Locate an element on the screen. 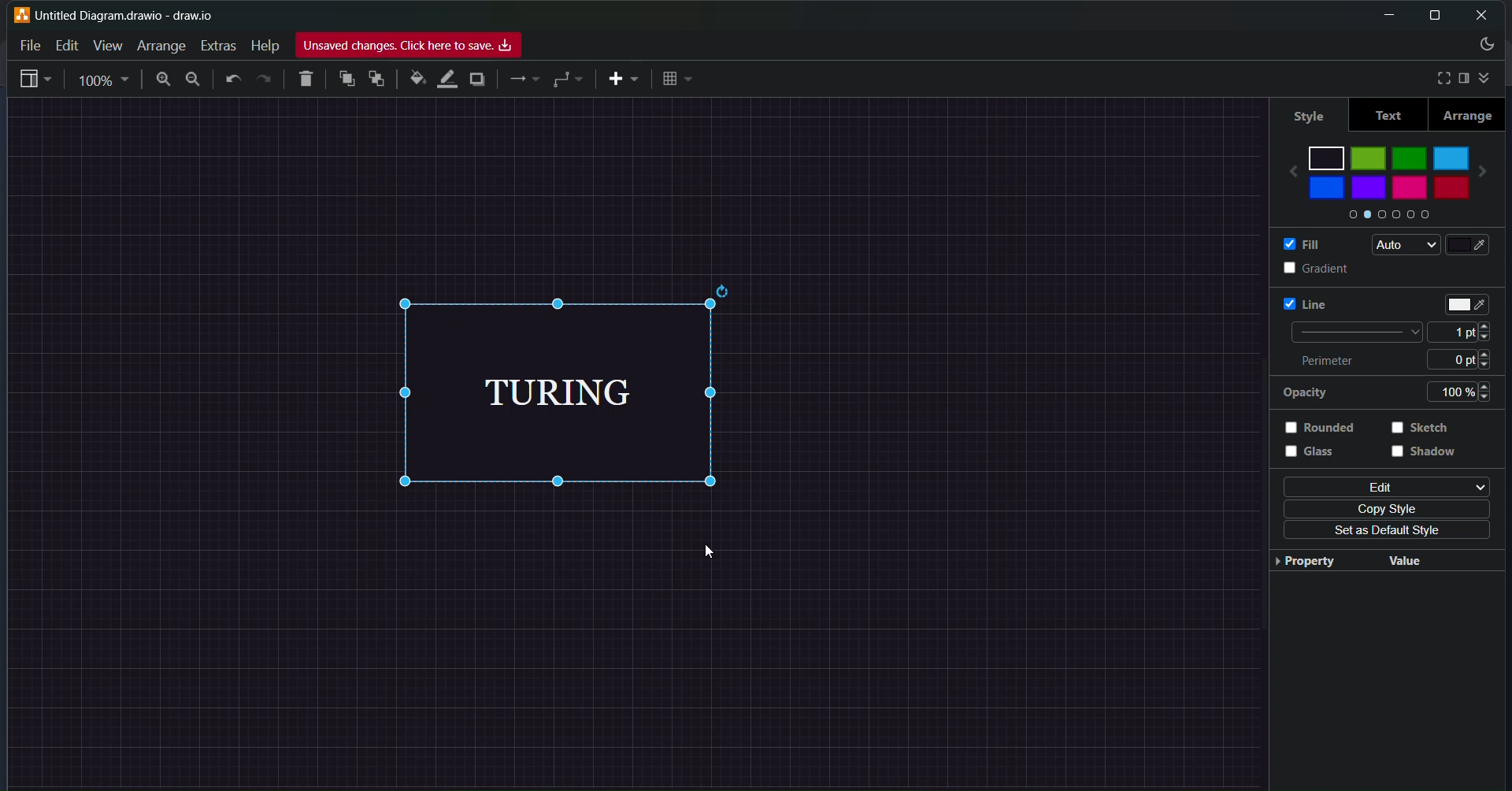 The width and height of the screenshot is (1512, 791). color palletes is located at coordinates (1385, 217).